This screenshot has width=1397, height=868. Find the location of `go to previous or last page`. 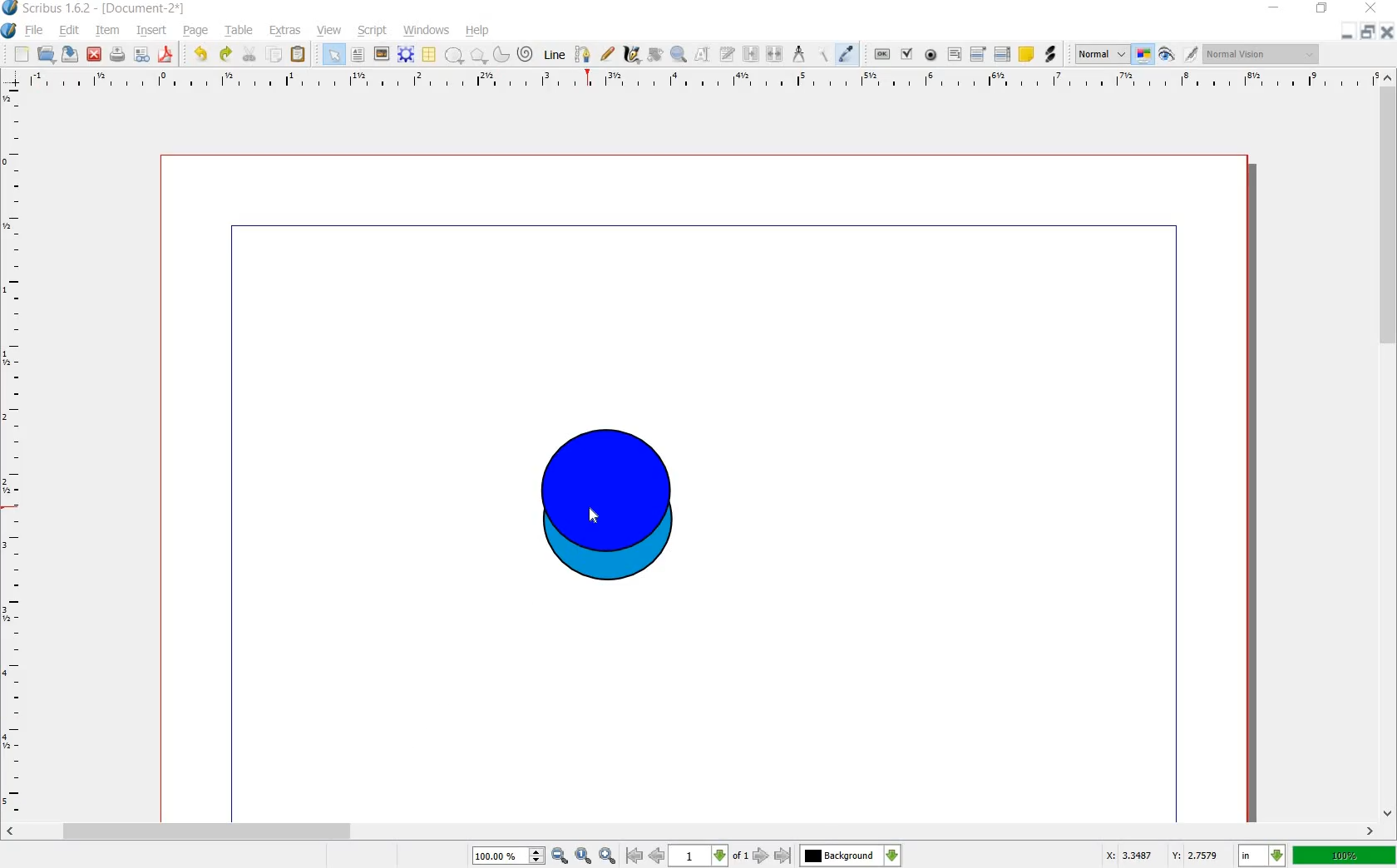

go to previous or last page is located at coordinates (708, 856).